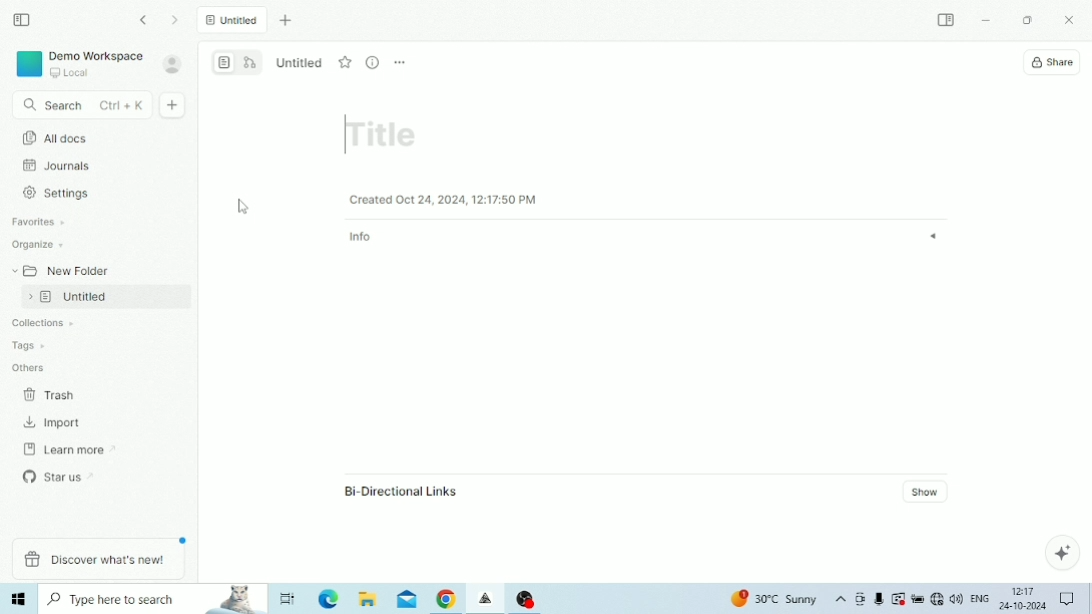  Describe the element at coordinates (23, 20) in the screenshot. I see `Collapse sidebar` at that location.